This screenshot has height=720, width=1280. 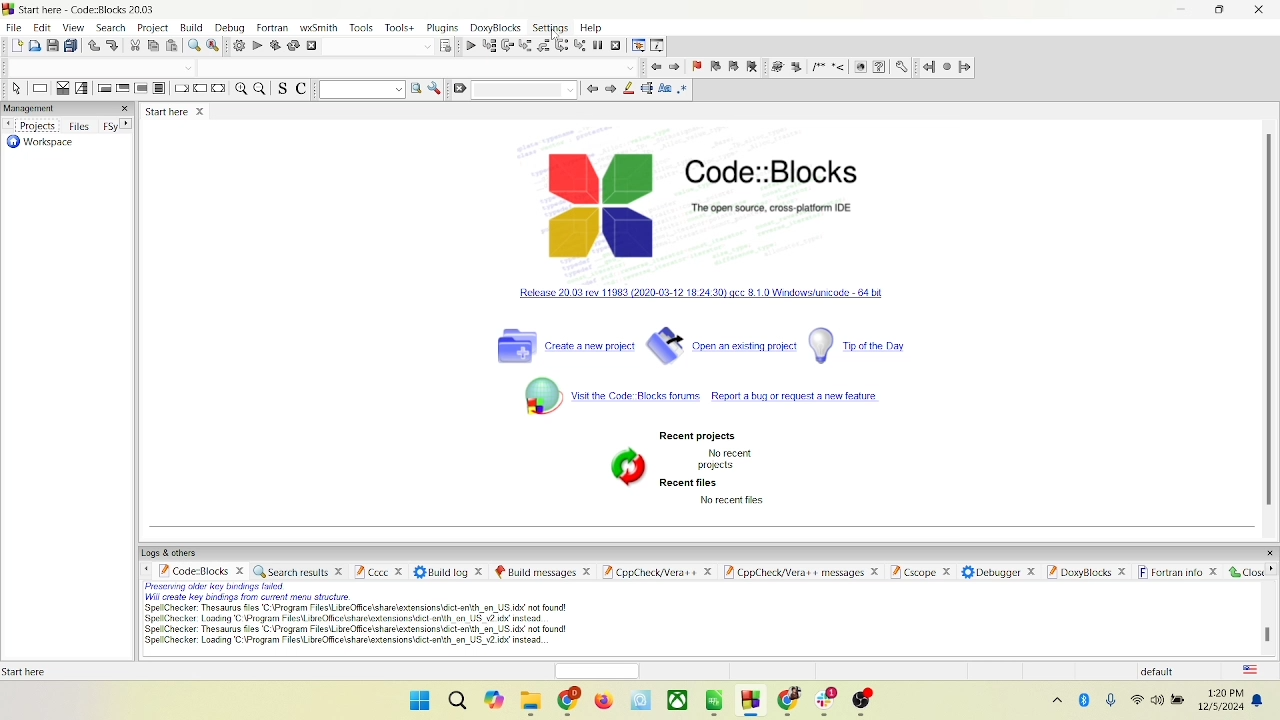 What do you see at coordinates (52, 45) in the screenshot?
I see `save` at bounding box center [52, 45].